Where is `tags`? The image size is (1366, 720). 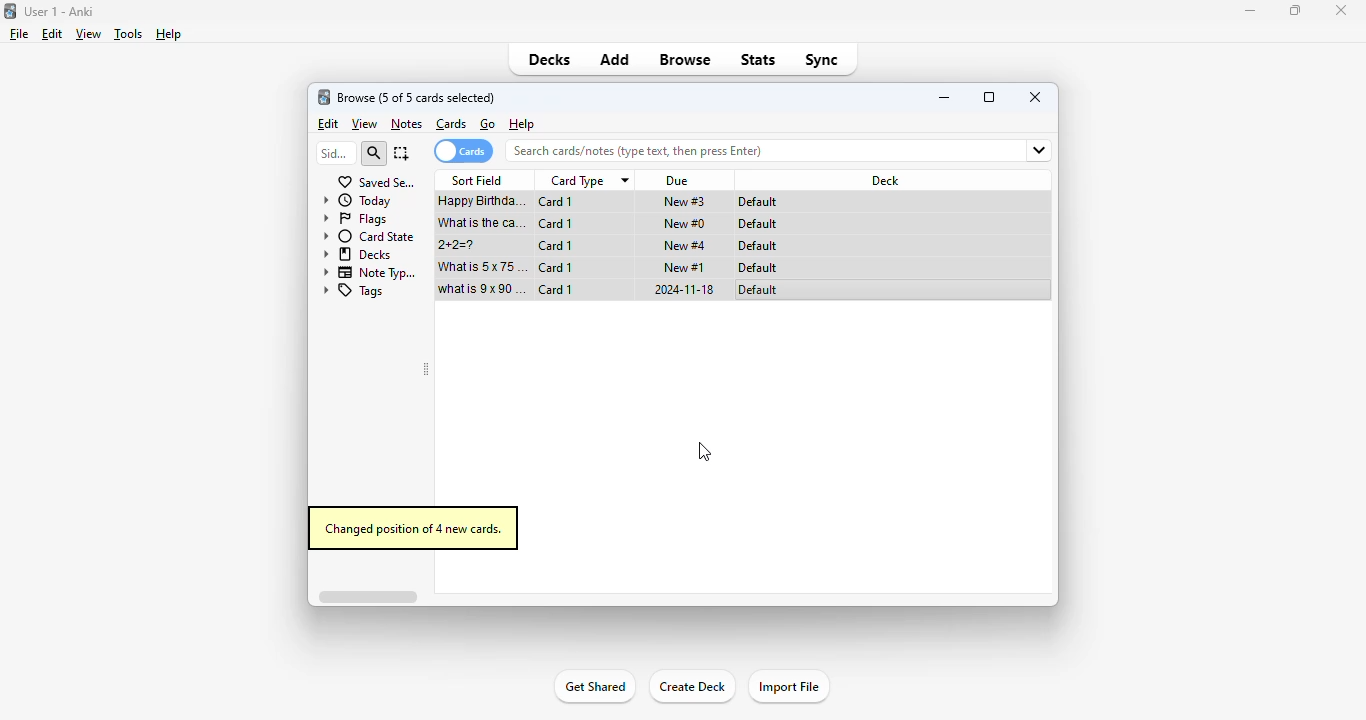 tags is located at coordinates (354, 291).